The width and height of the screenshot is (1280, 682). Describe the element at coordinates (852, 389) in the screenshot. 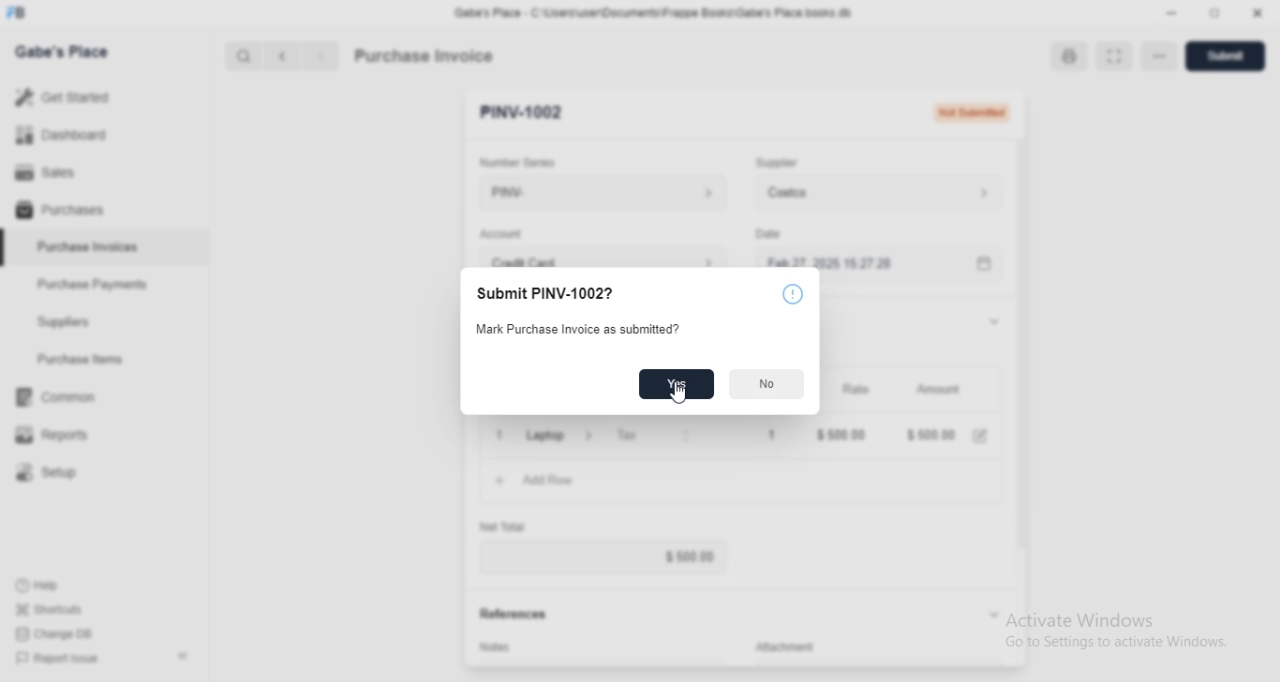

I see `Rate` at that location.